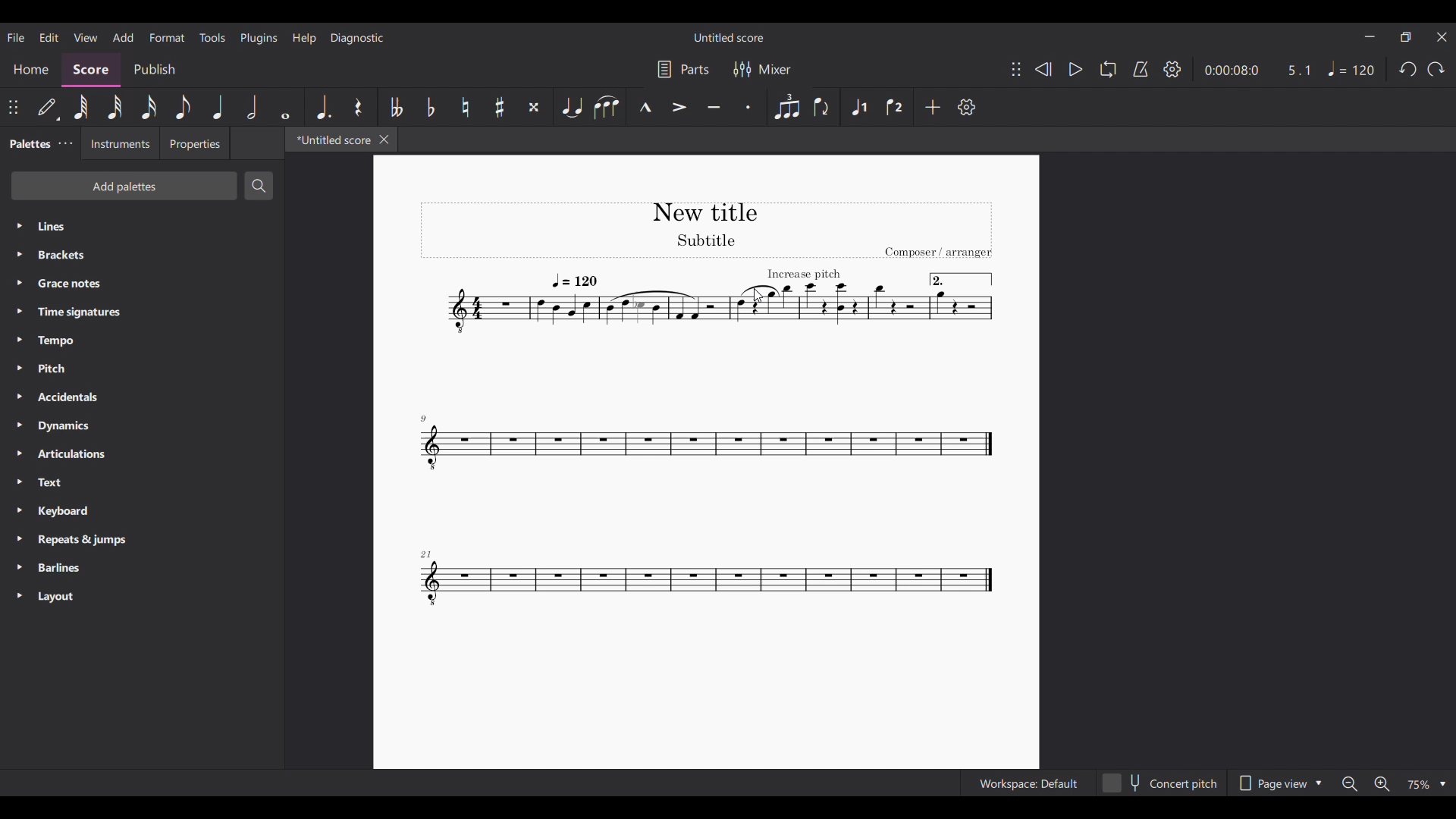  Describe the element at coordinates (384, 140) in the screenshot. I see `Close tab` at that location.